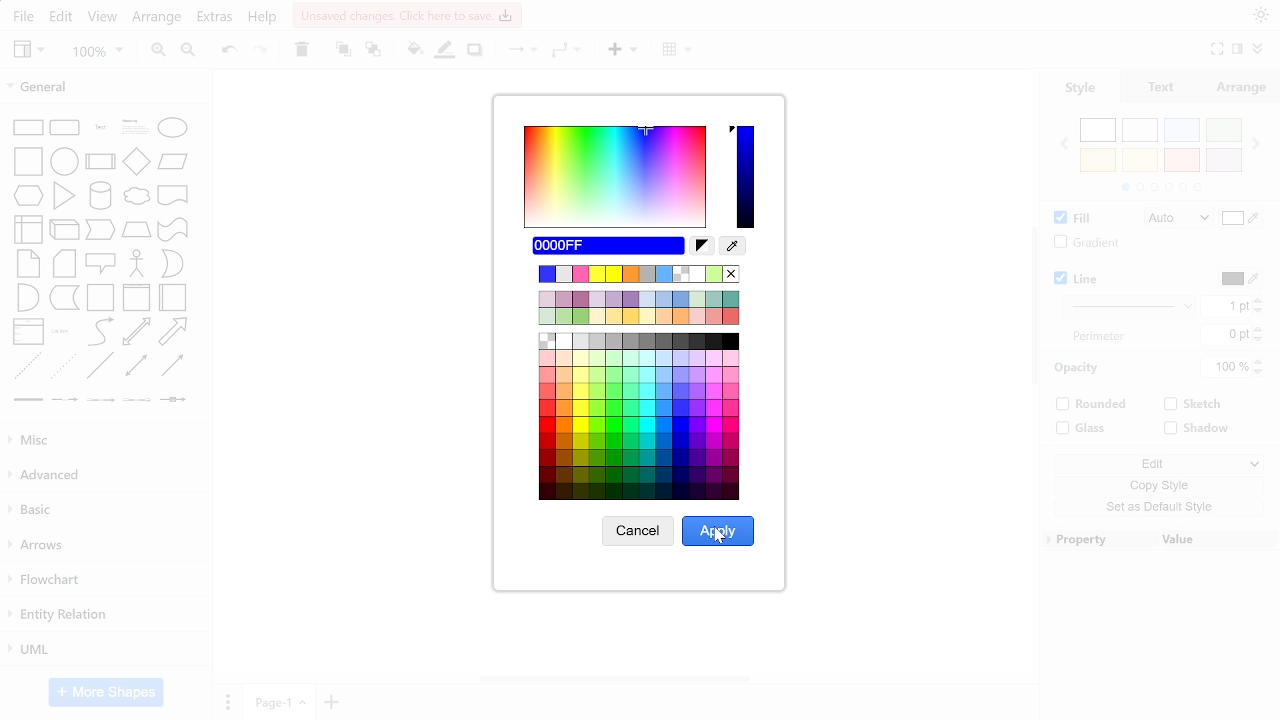  Describe the element at coordinates (1154, 507) in the screenshot. I see `set as default style` at that location.